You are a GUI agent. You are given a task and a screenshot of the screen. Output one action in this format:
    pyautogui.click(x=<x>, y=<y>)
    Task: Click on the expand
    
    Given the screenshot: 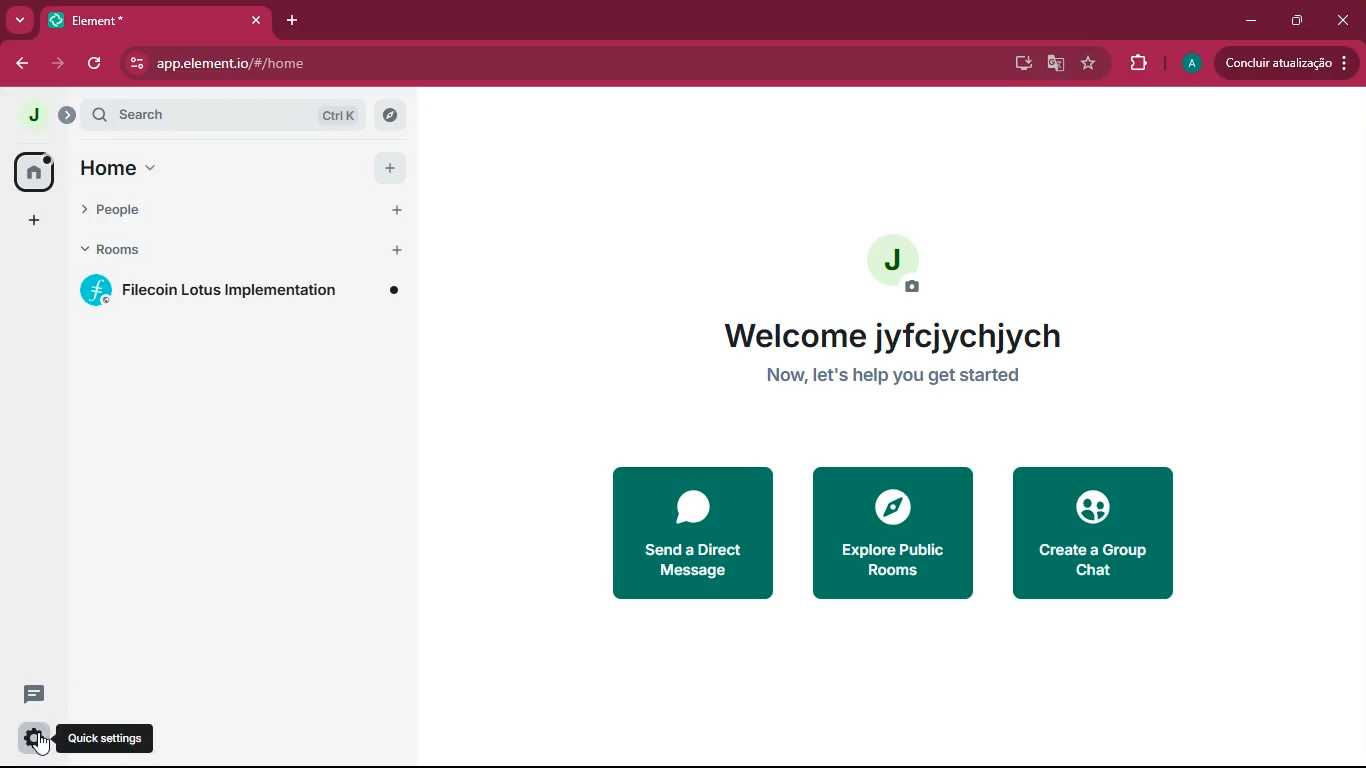 What is the action you would take?
    pyautogui.click(x=67, y=115)
    